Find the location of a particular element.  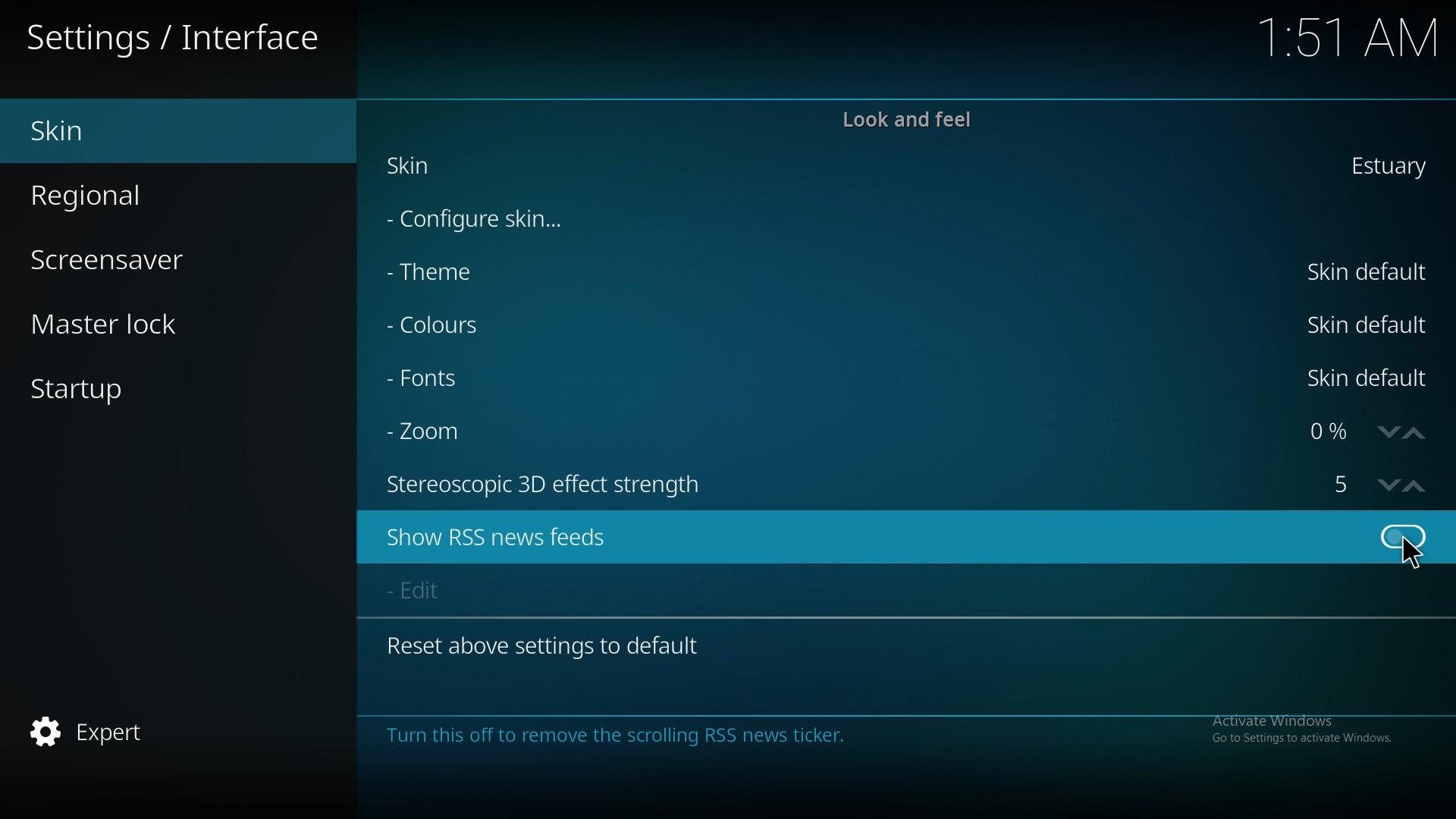

skin default is located at coordinates (1370, 378).